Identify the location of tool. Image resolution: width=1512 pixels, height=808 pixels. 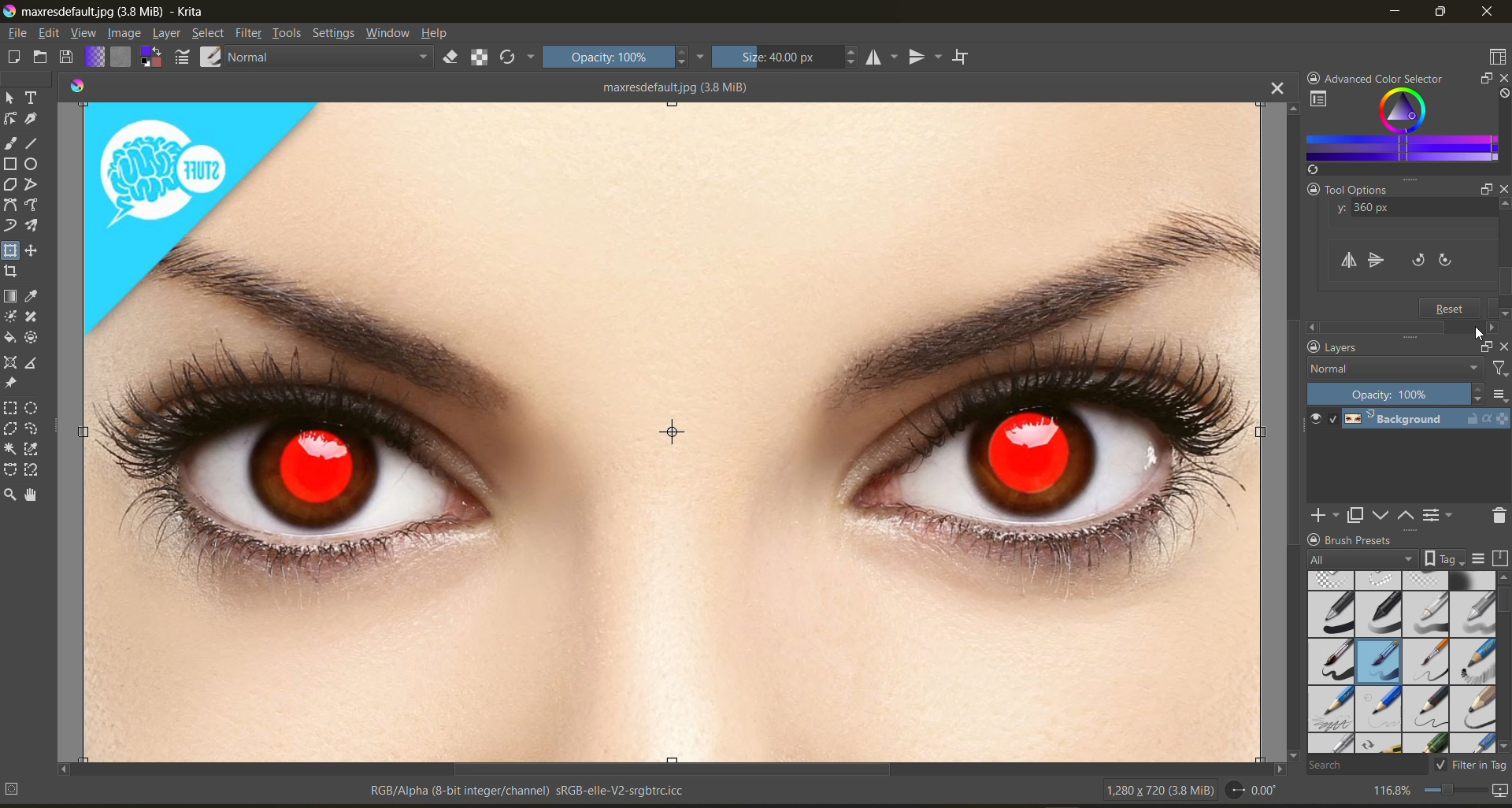
(12, 97).